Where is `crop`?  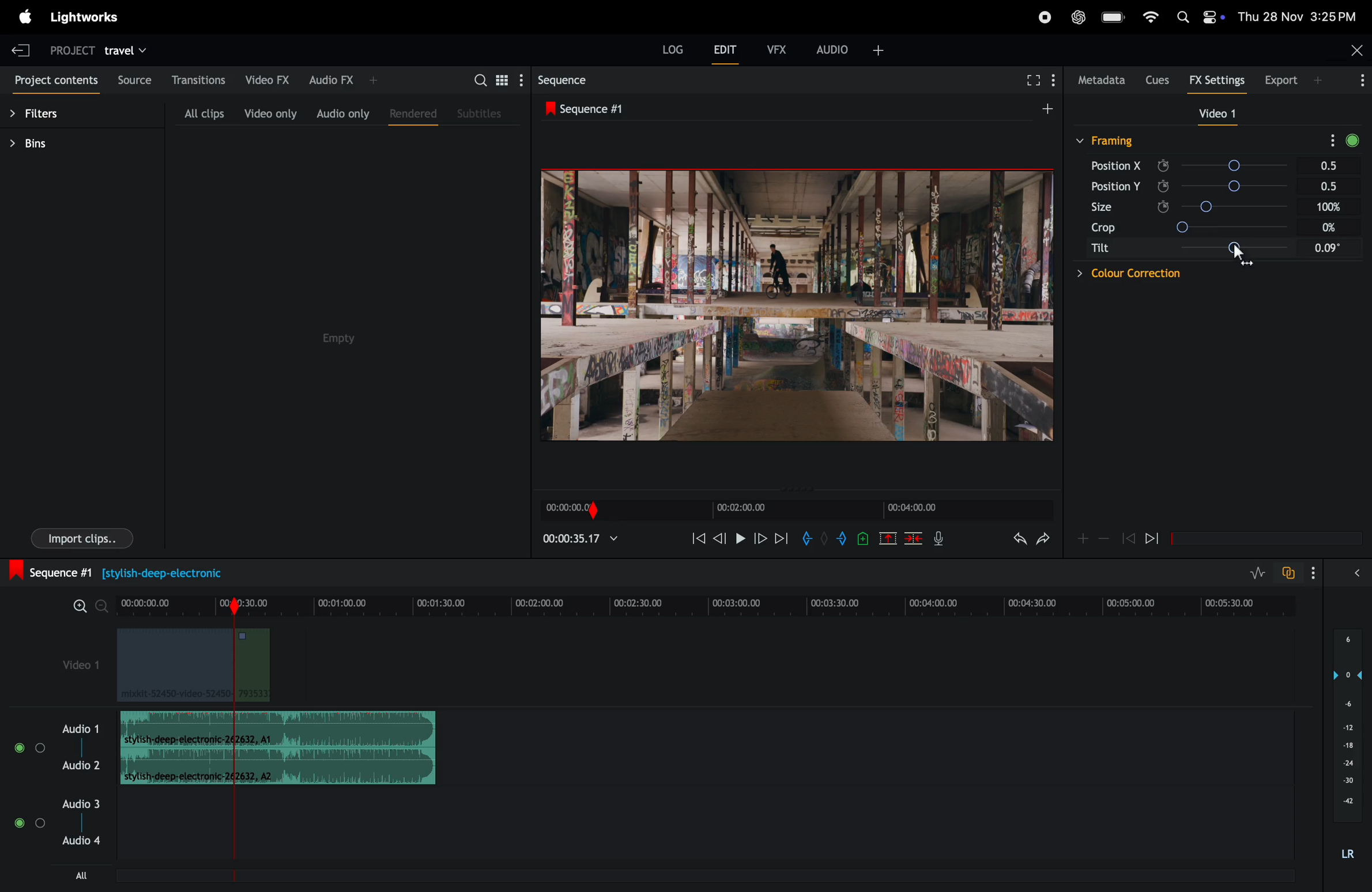 crop is located at coordinates (1124, 230).